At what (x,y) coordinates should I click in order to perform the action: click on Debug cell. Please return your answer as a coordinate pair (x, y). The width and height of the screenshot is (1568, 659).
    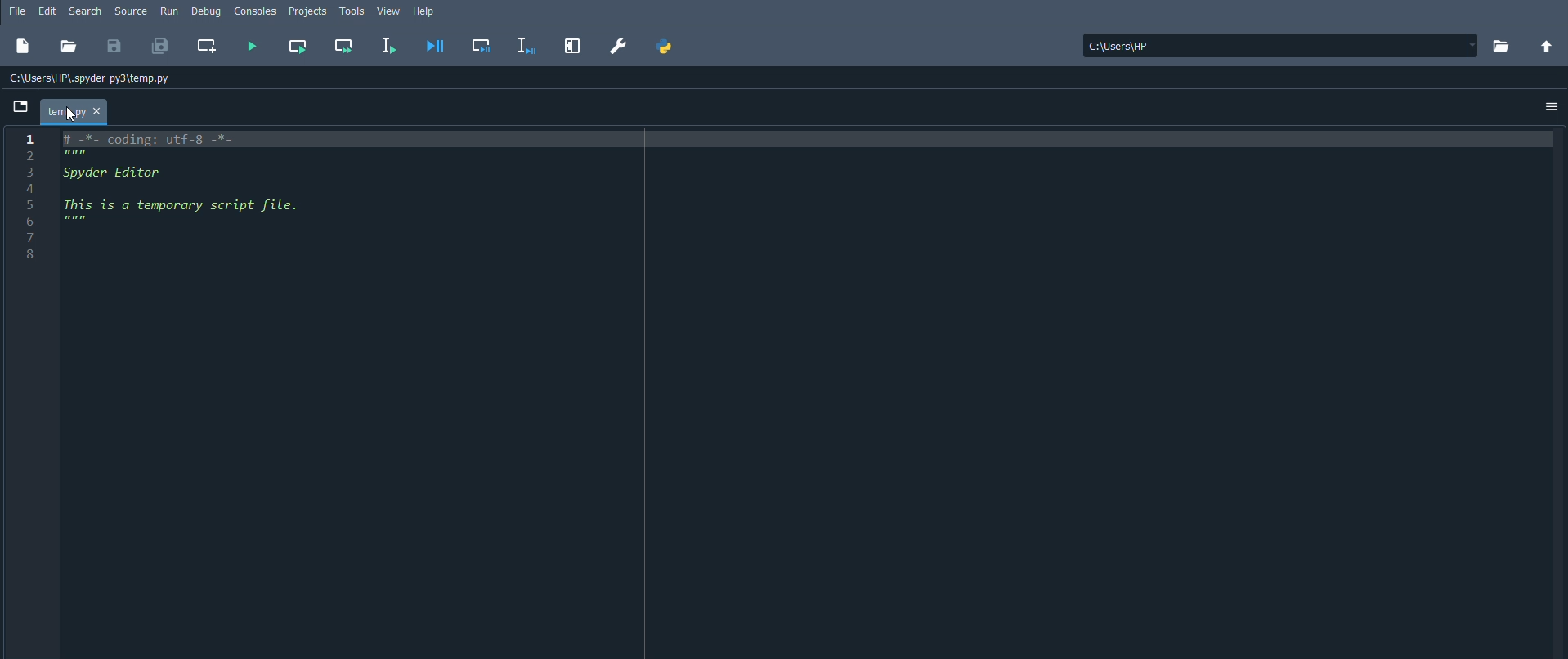
    Looking at the image, I should click on (481, 46).